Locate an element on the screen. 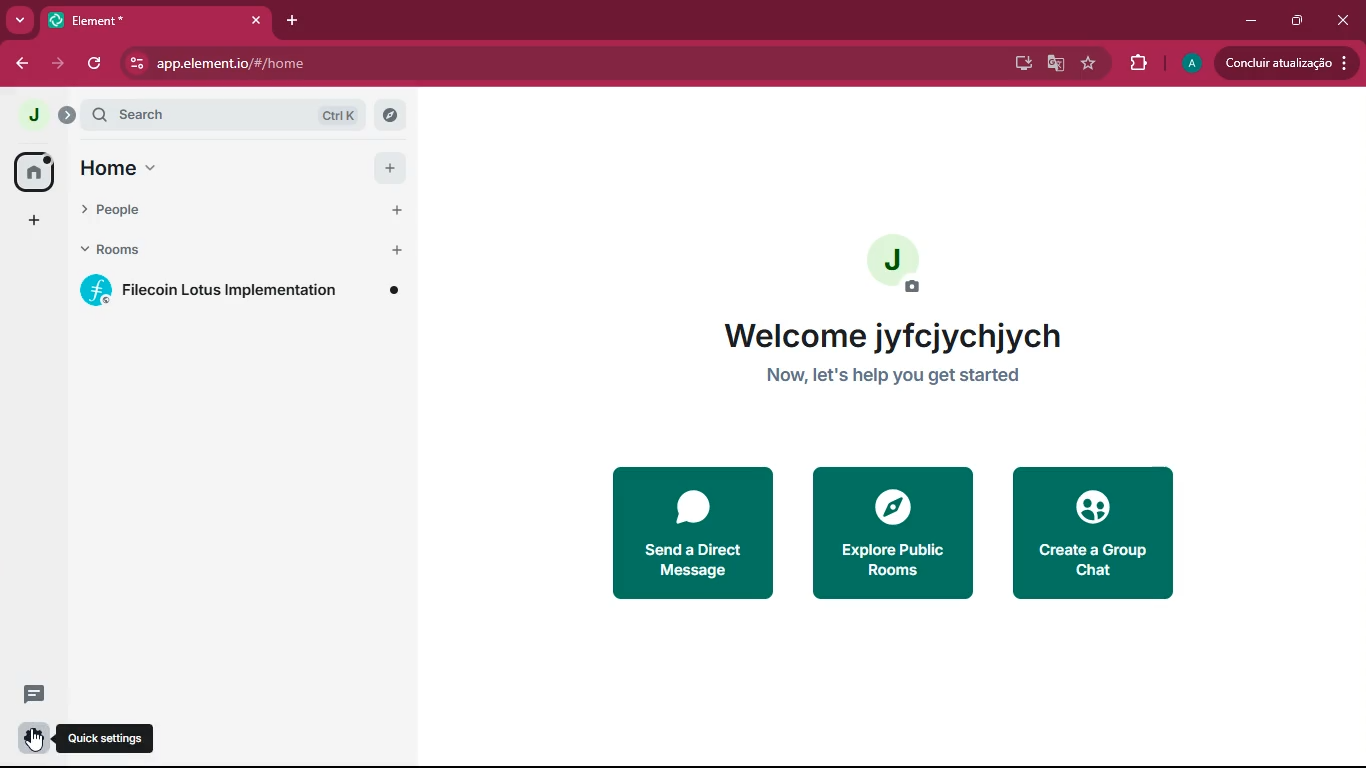  ctrl k is located at coordinates (339, 116).